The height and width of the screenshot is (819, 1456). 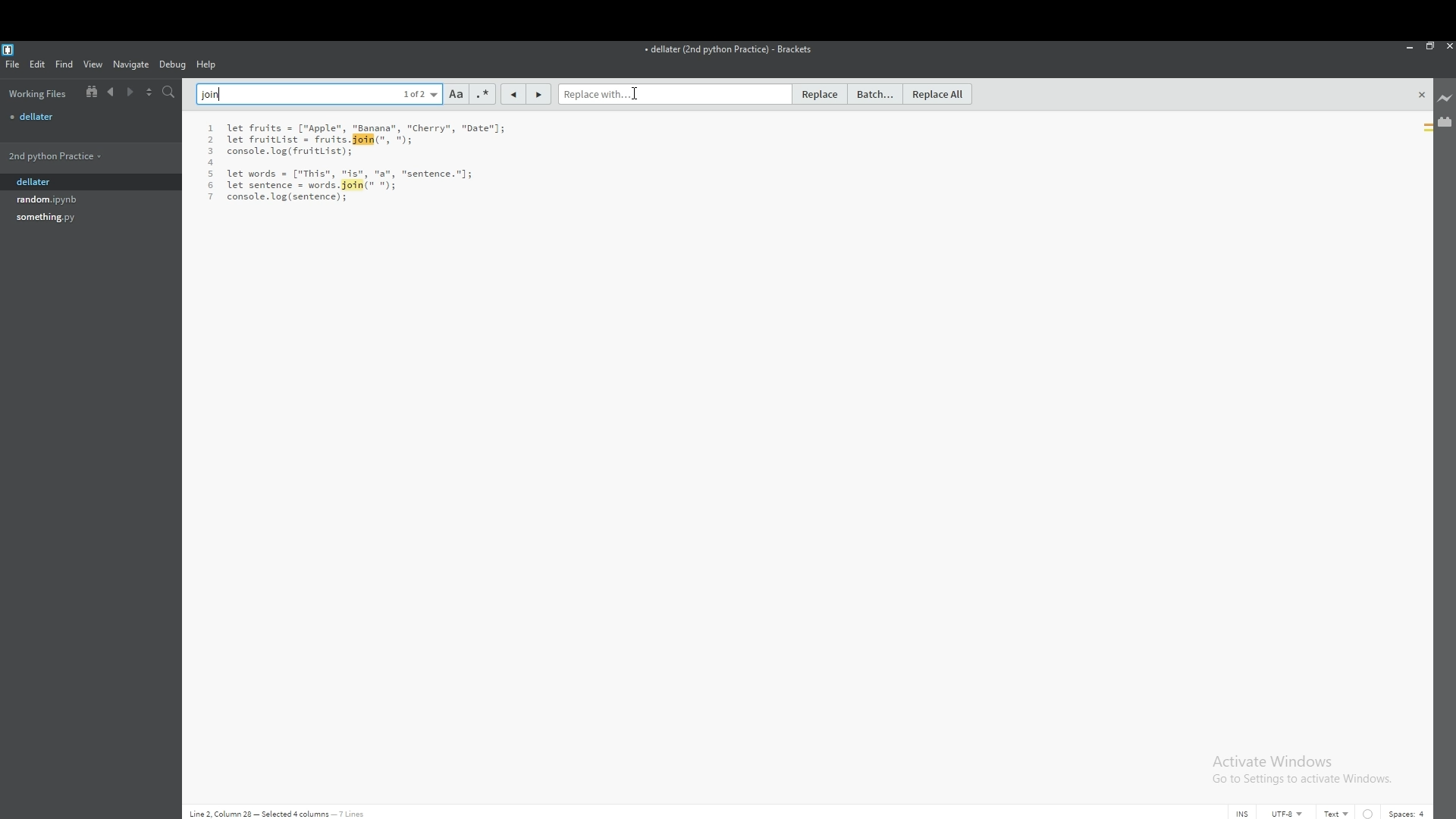 What do you see at coordinates (1421, 95) in the screenshot?
I see `close` at bounding box center [1421, 95].